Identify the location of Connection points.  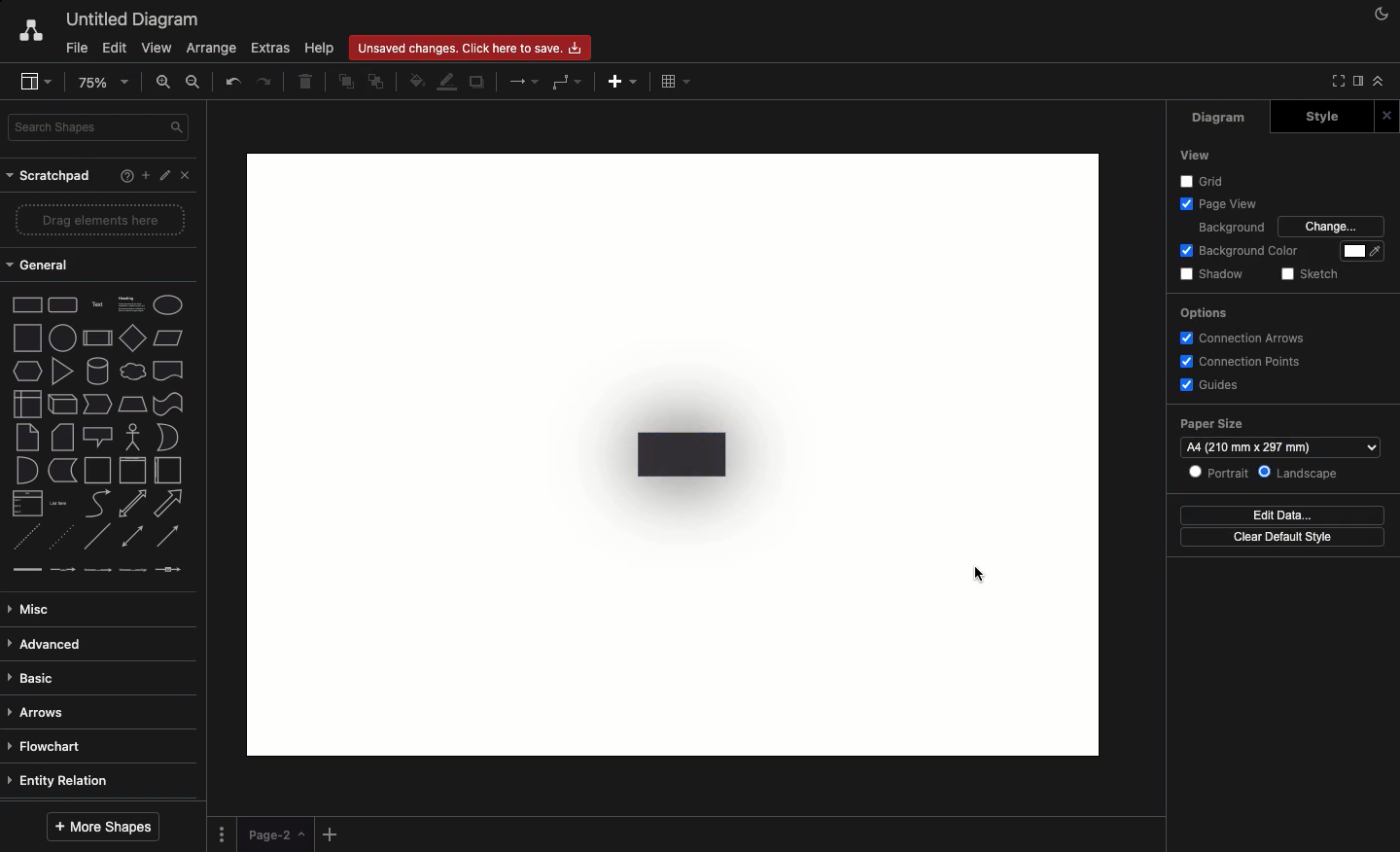
(1242, 361).